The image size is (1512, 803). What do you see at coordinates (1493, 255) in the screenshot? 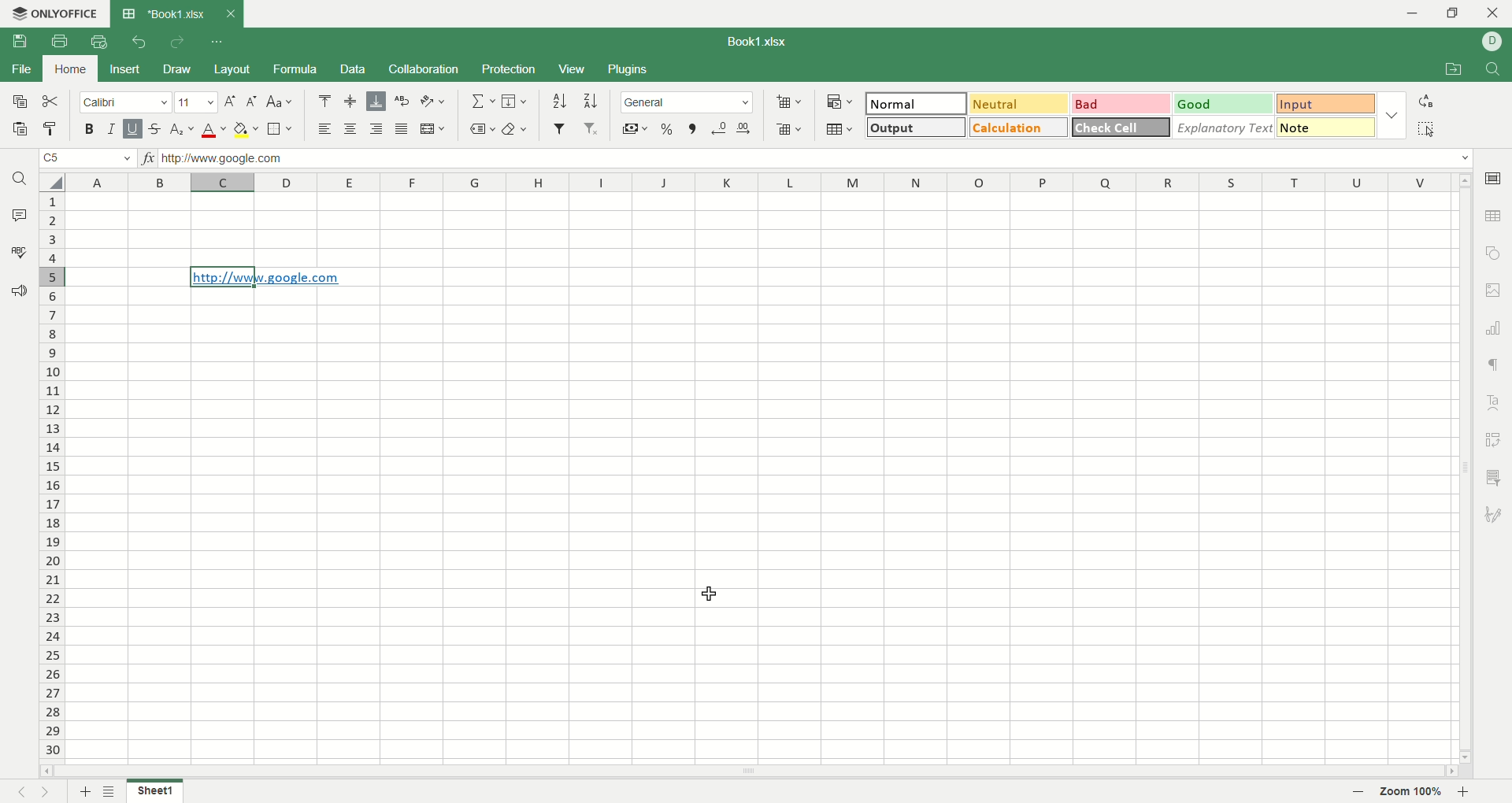
I see `object settings` at bounding box center [1493, 255].